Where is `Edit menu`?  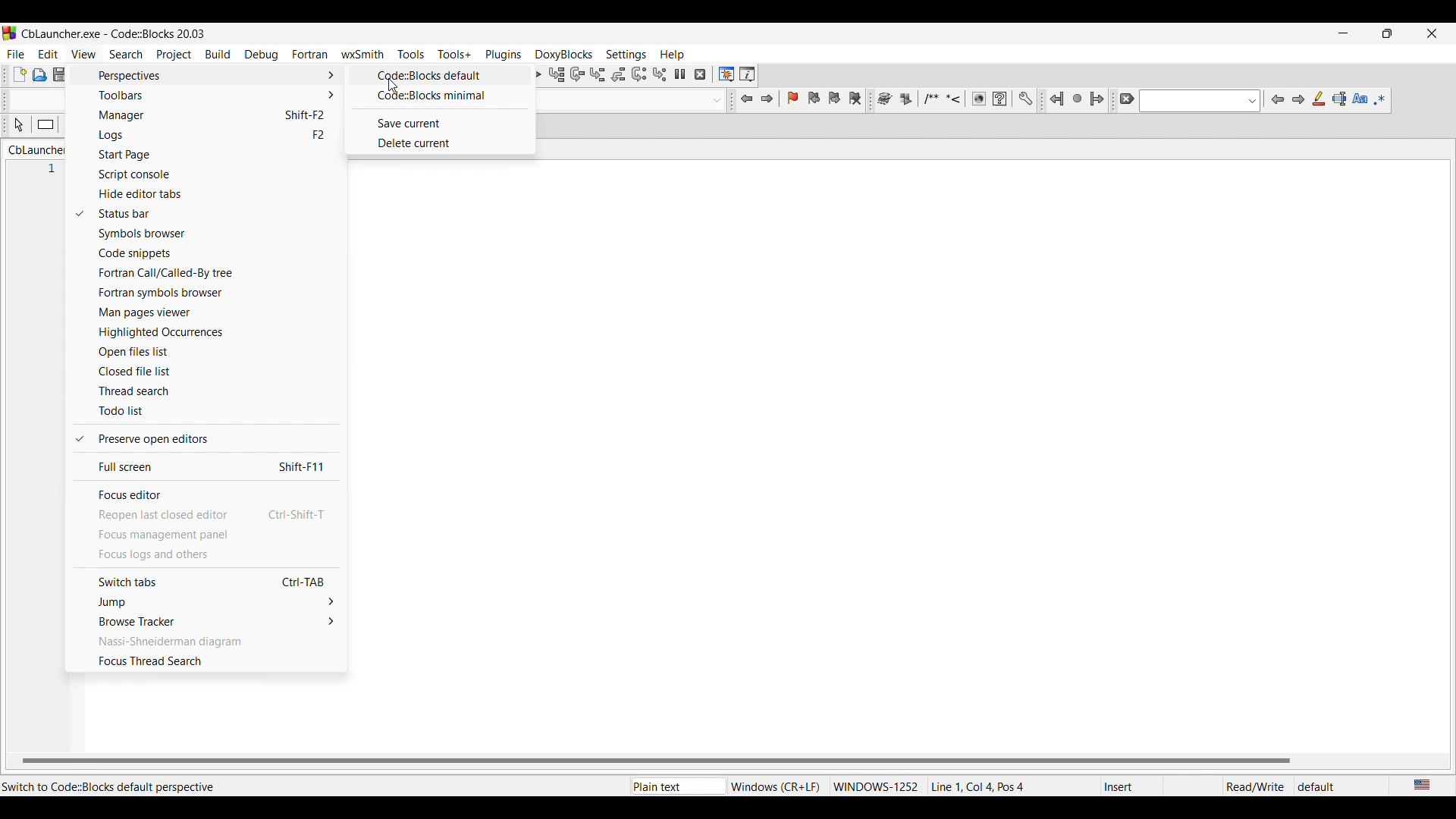
Edit menu is located at coordinates (48, 54).